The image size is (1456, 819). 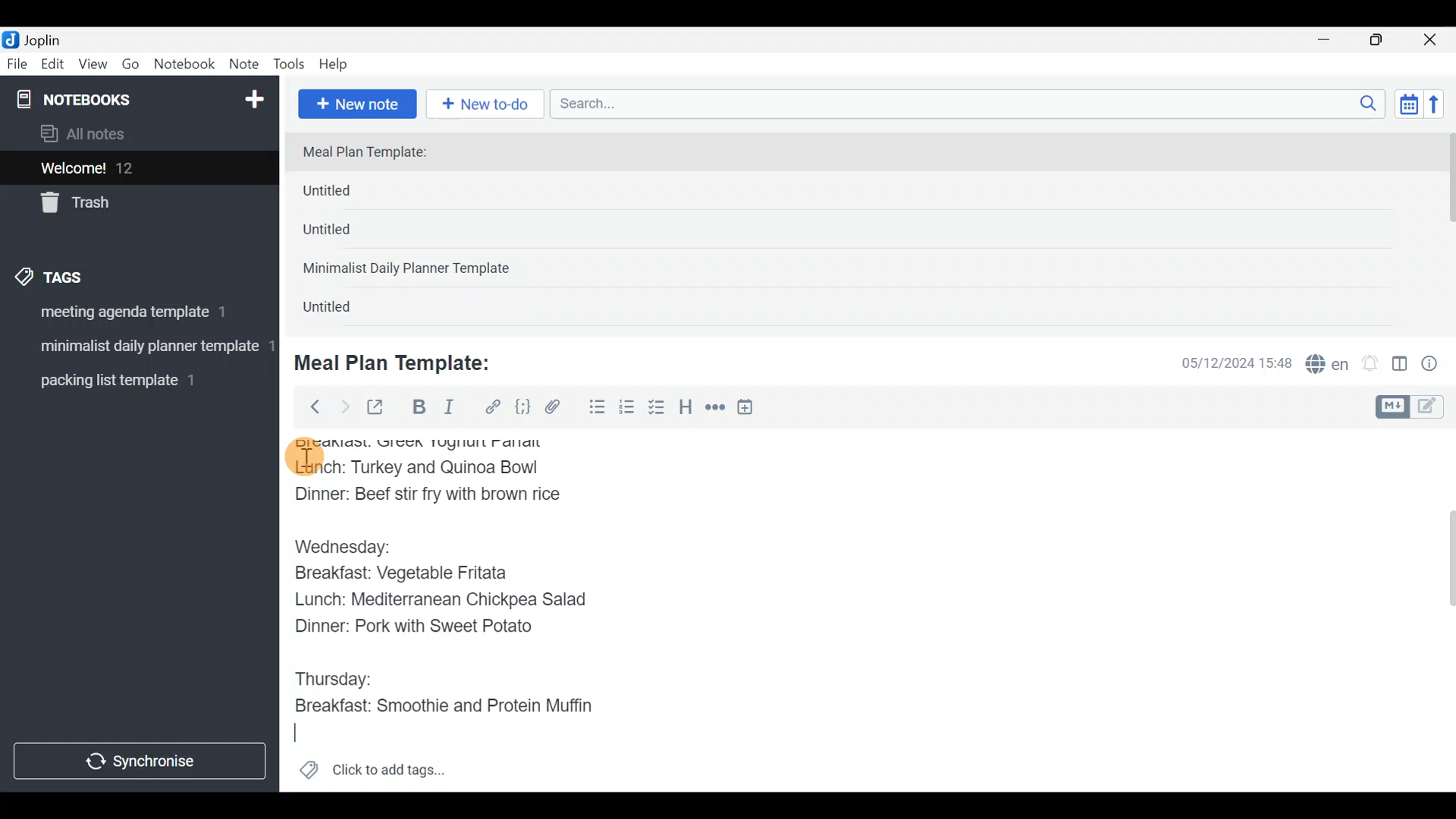 What do you see at coordinates (686, 409) in the screenshot?
I see `Heading` at bounding box center [686, 409].